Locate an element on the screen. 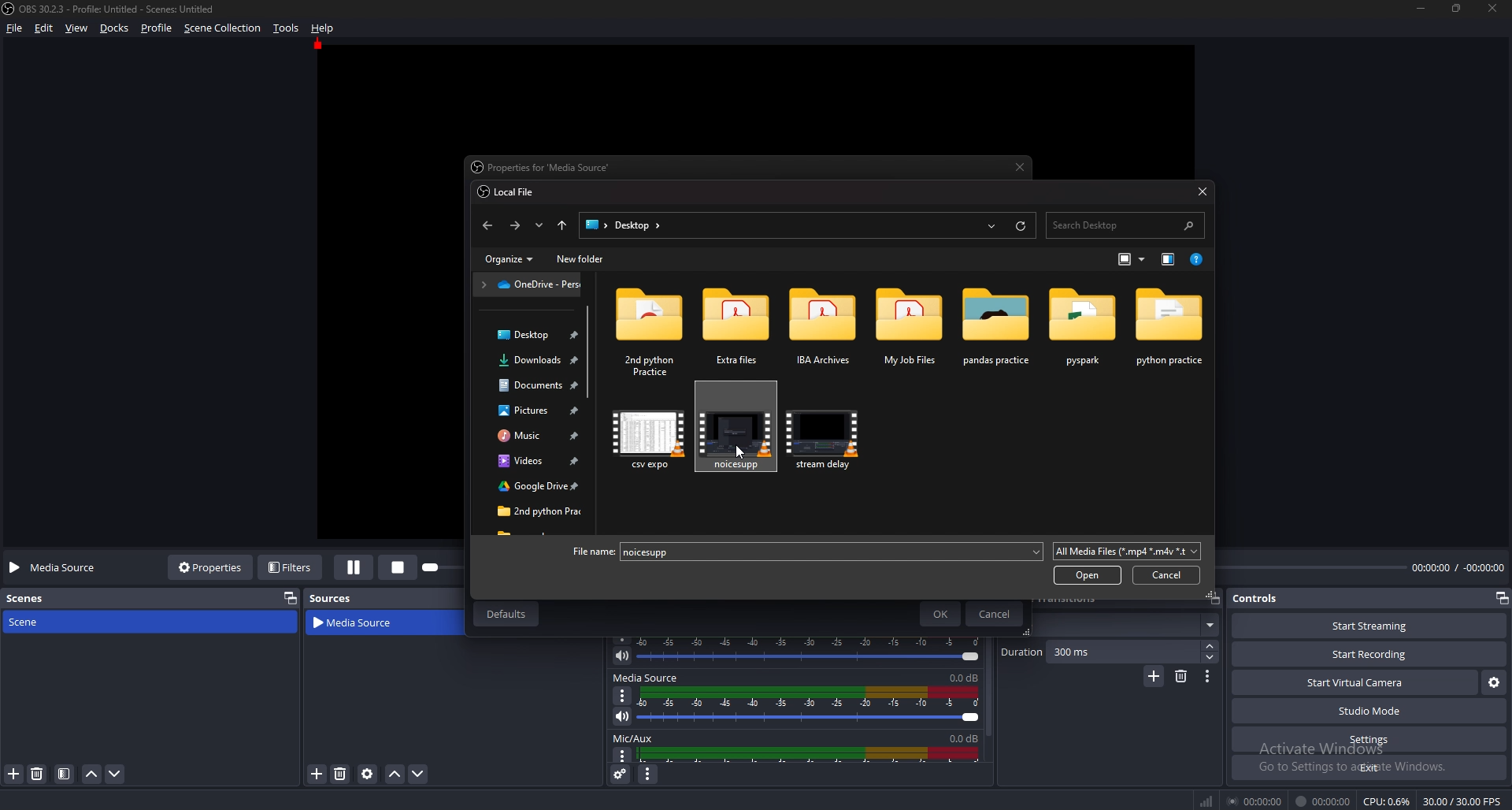  Sources is located at coordinates (331, 598).